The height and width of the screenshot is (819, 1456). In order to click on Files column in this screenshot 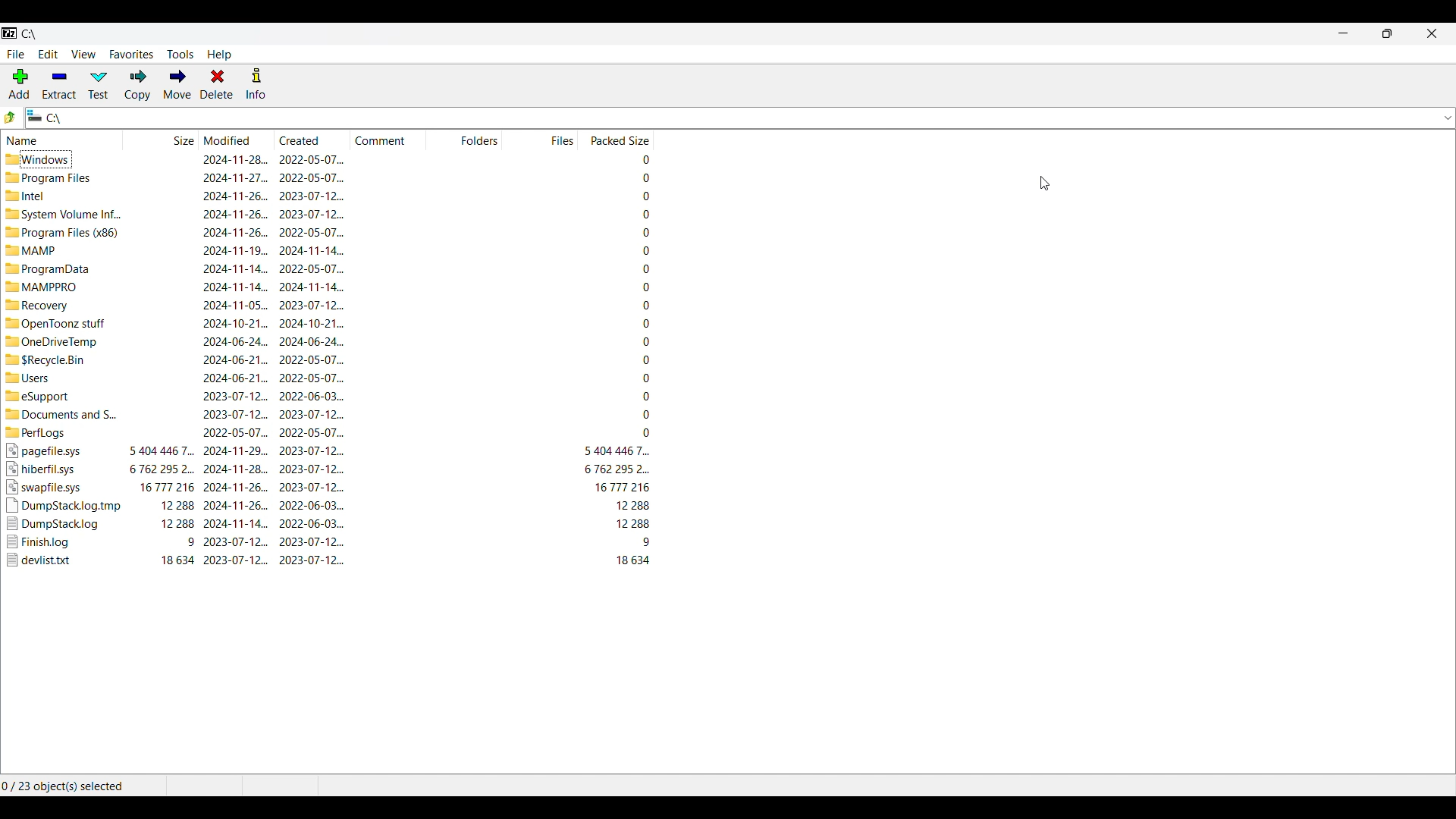, I will do `click(541, 139)`.